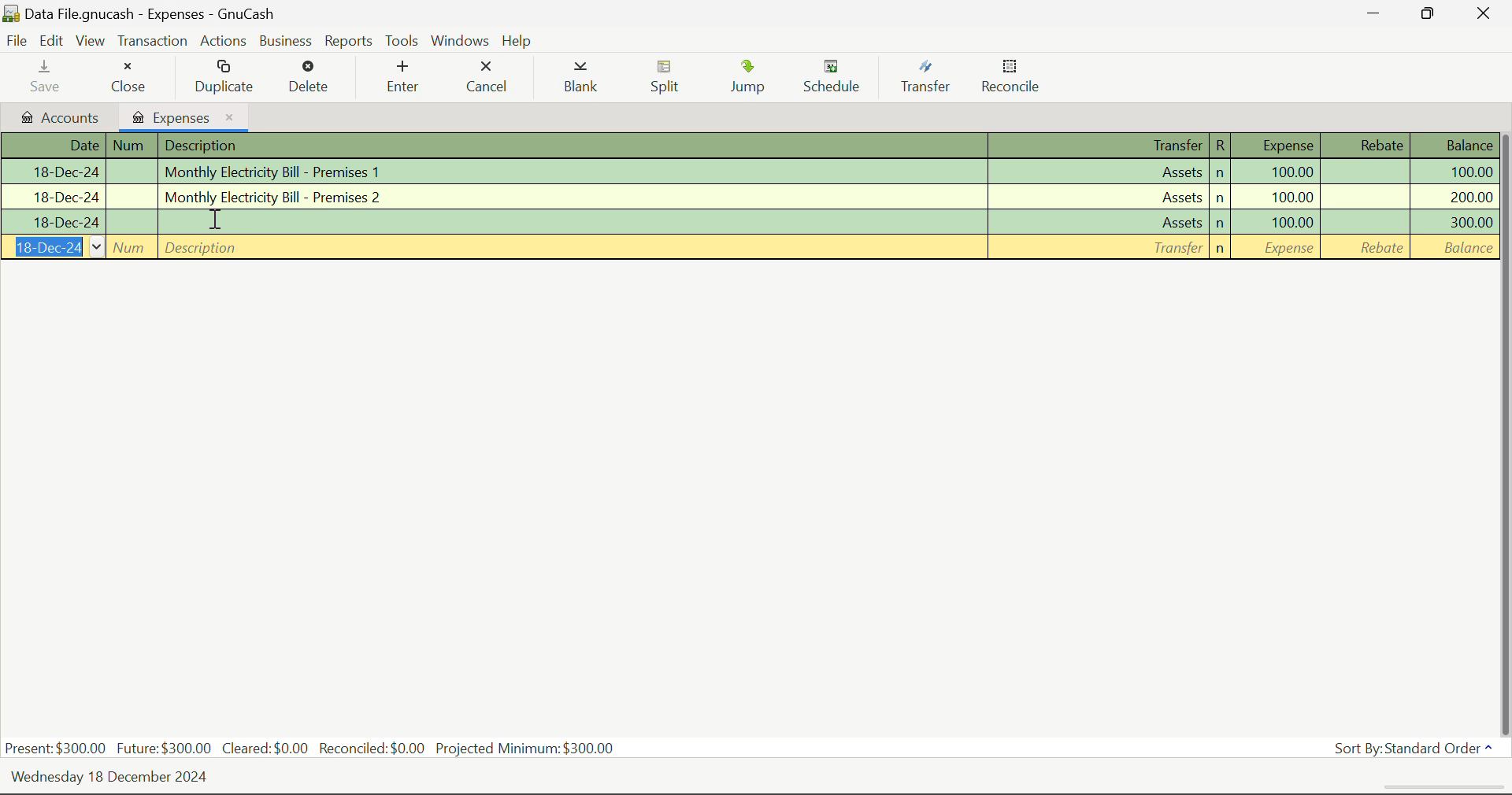 The image size is (1512, 795). Describe the element at coordinates (840, 79) in the screenshot. I see `Schedule` at that location.